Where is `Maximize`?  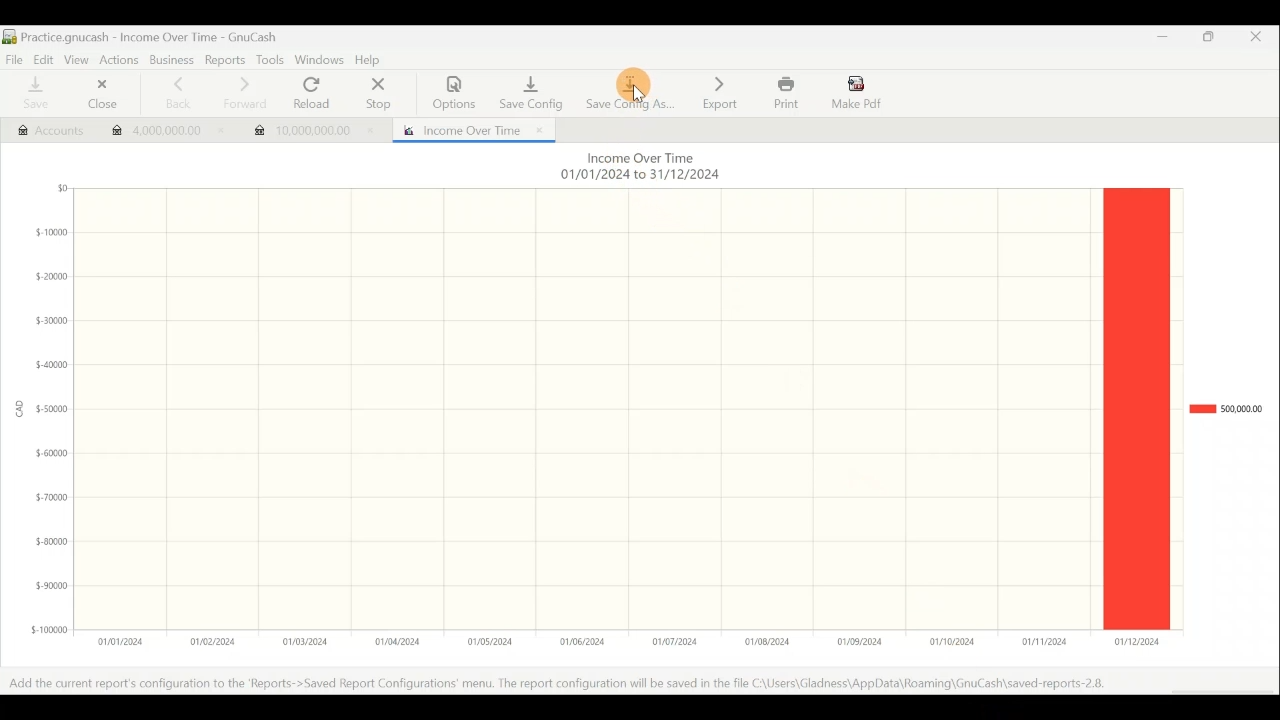 Maximize is located at coordinates (1210, 40).